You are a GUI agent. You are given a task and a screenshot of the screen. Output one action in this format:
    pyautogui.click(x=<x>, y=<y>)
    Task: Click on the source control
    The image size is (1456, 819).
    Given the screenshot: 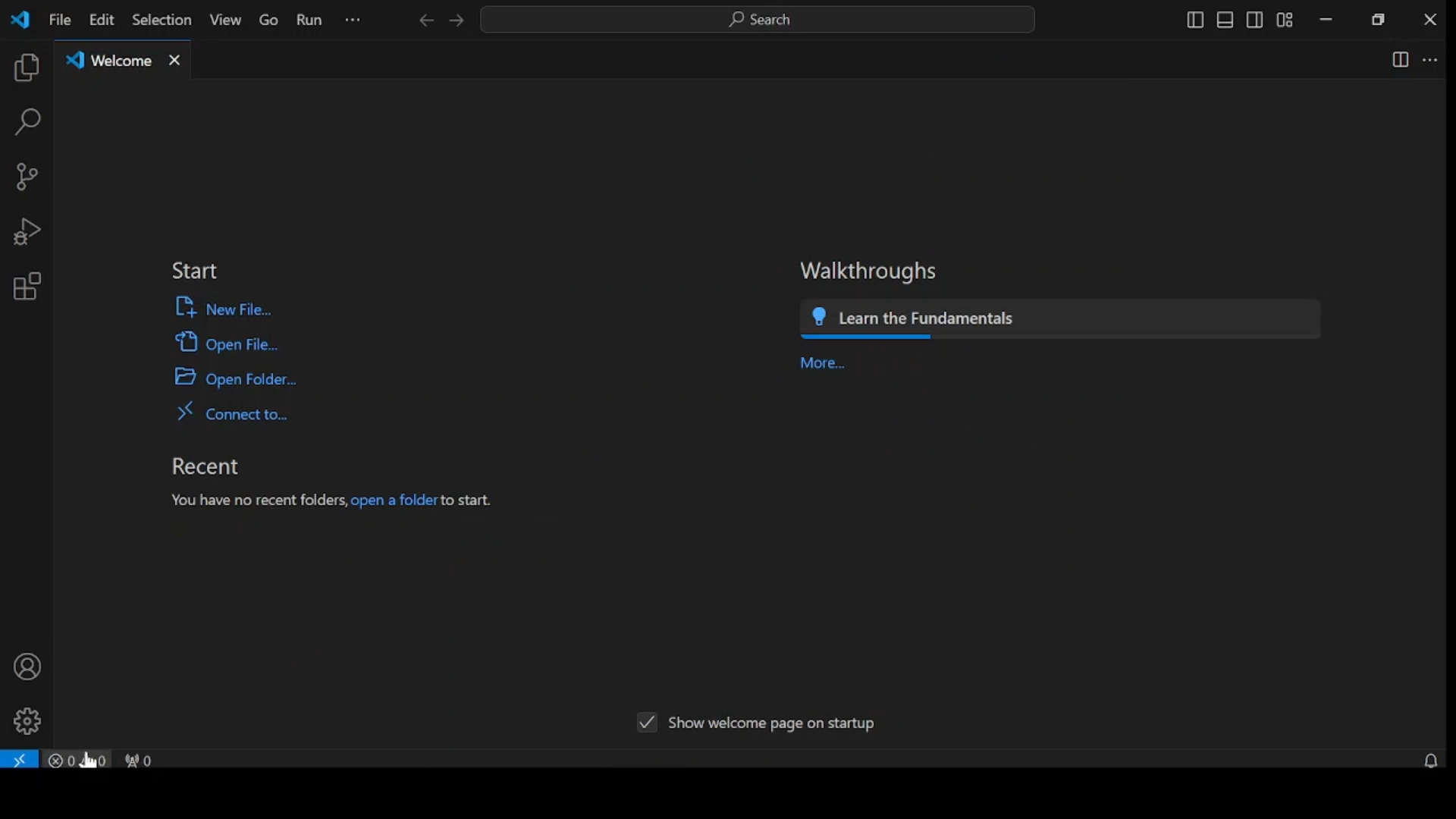 What is the action you would take?
    pyautogui.click(x=25, y=177)
    